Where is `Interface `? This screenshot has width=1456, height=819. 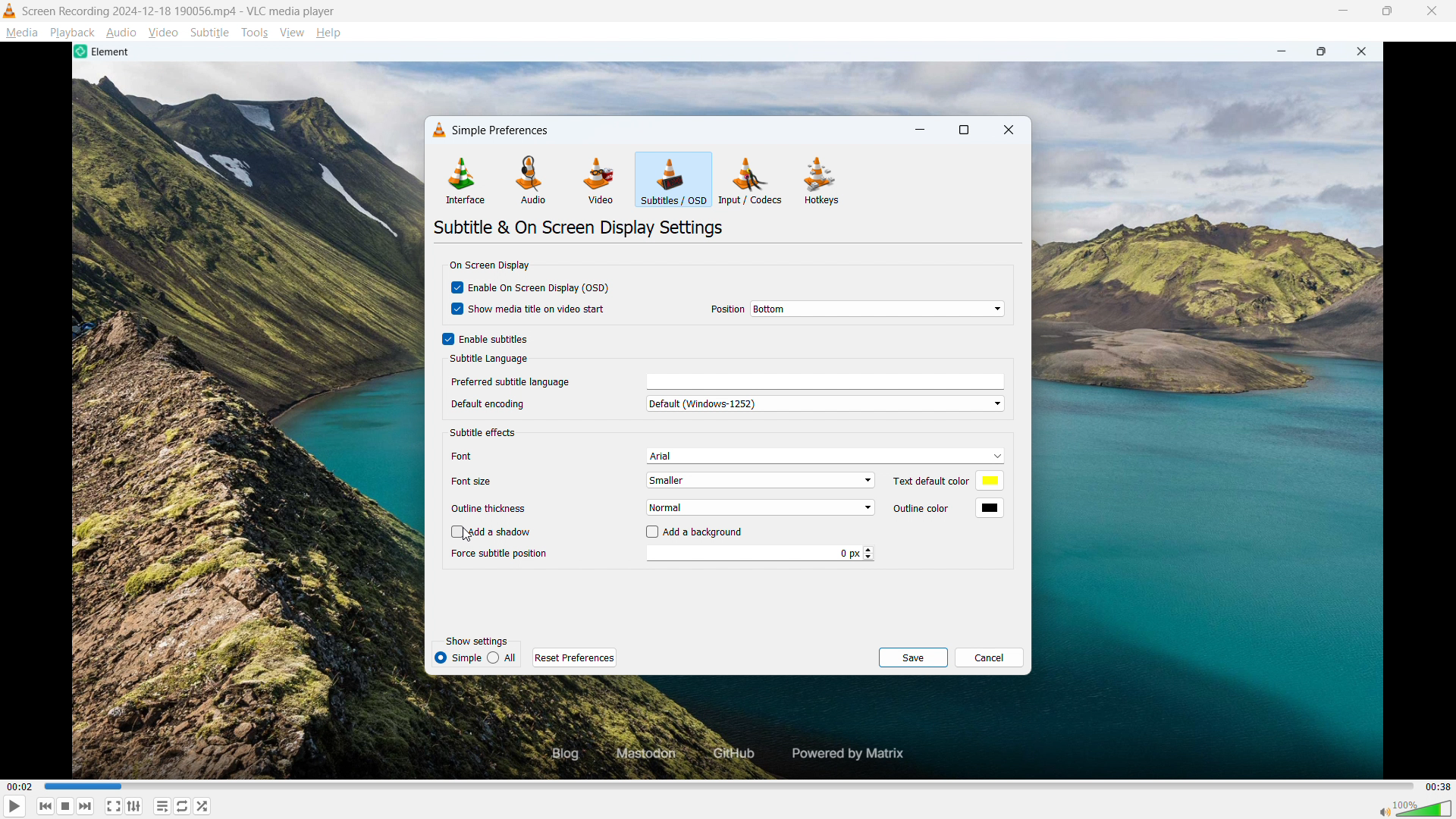
Interface  is located at coordinates (466, 180).